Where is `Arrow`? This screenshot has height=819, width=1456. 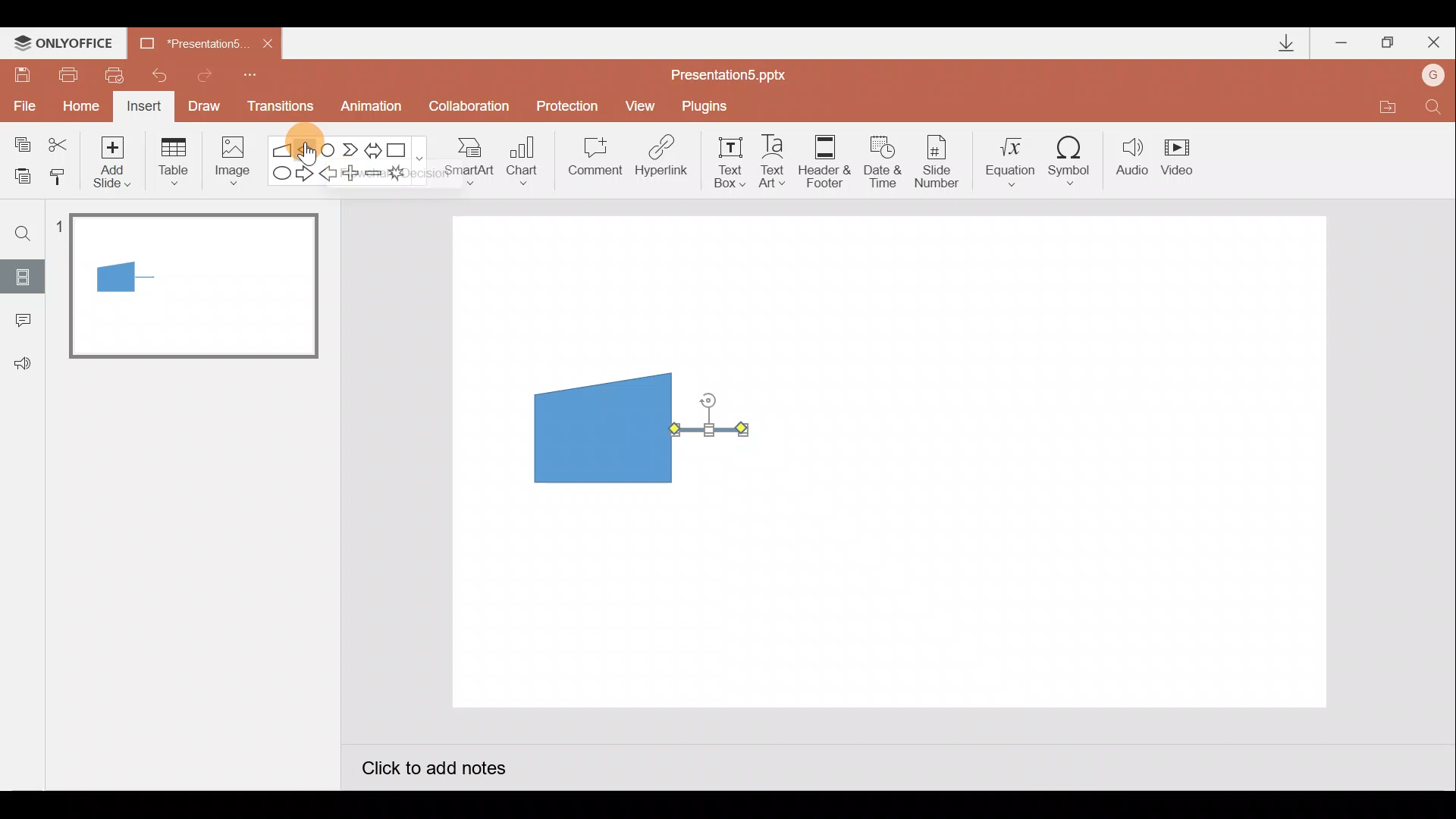 Arrow is located at coordinates (709, 429).